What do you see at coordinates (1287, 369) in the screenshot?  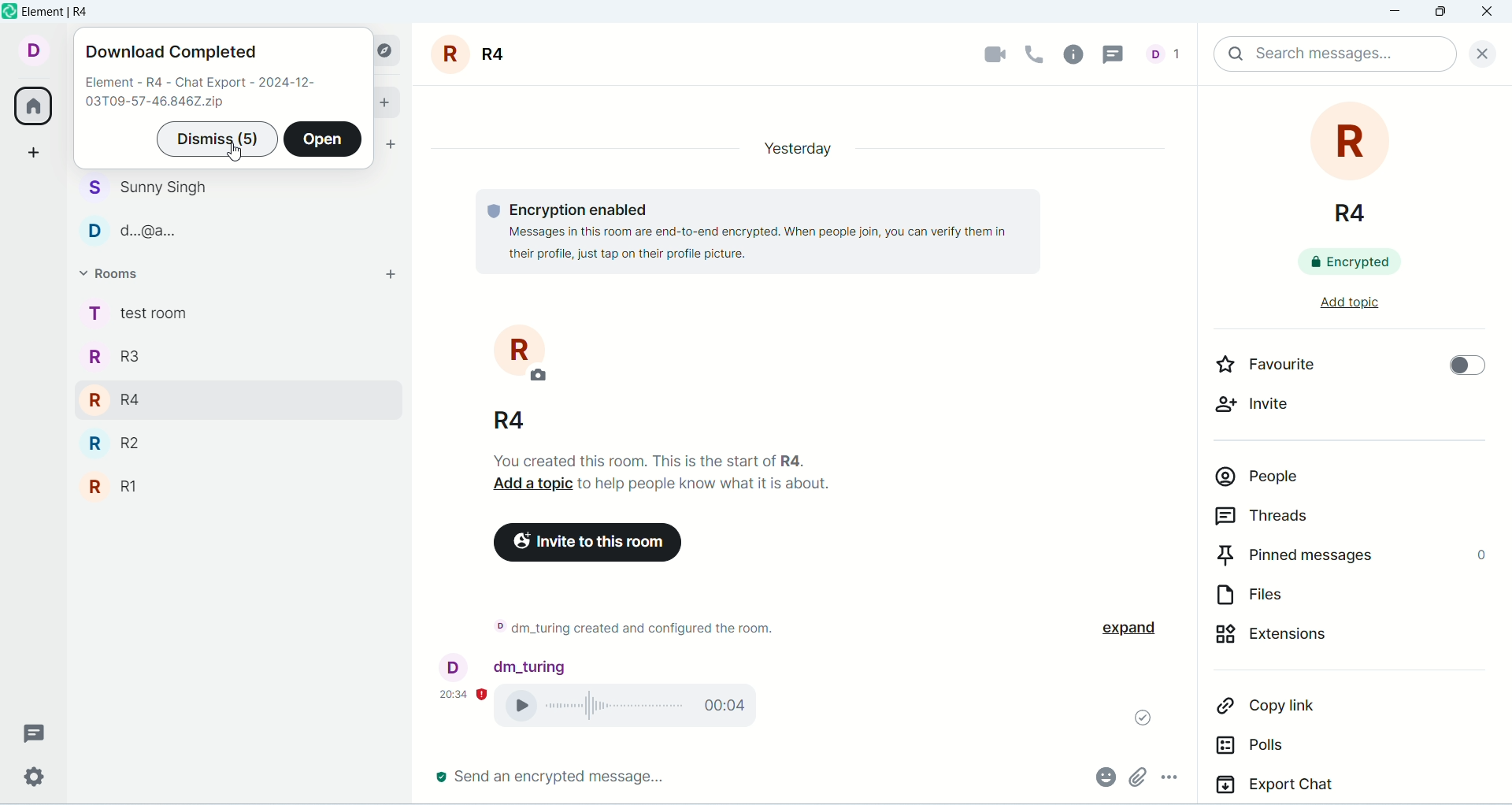 I see `favourite` at bounding box center [1287, 369].